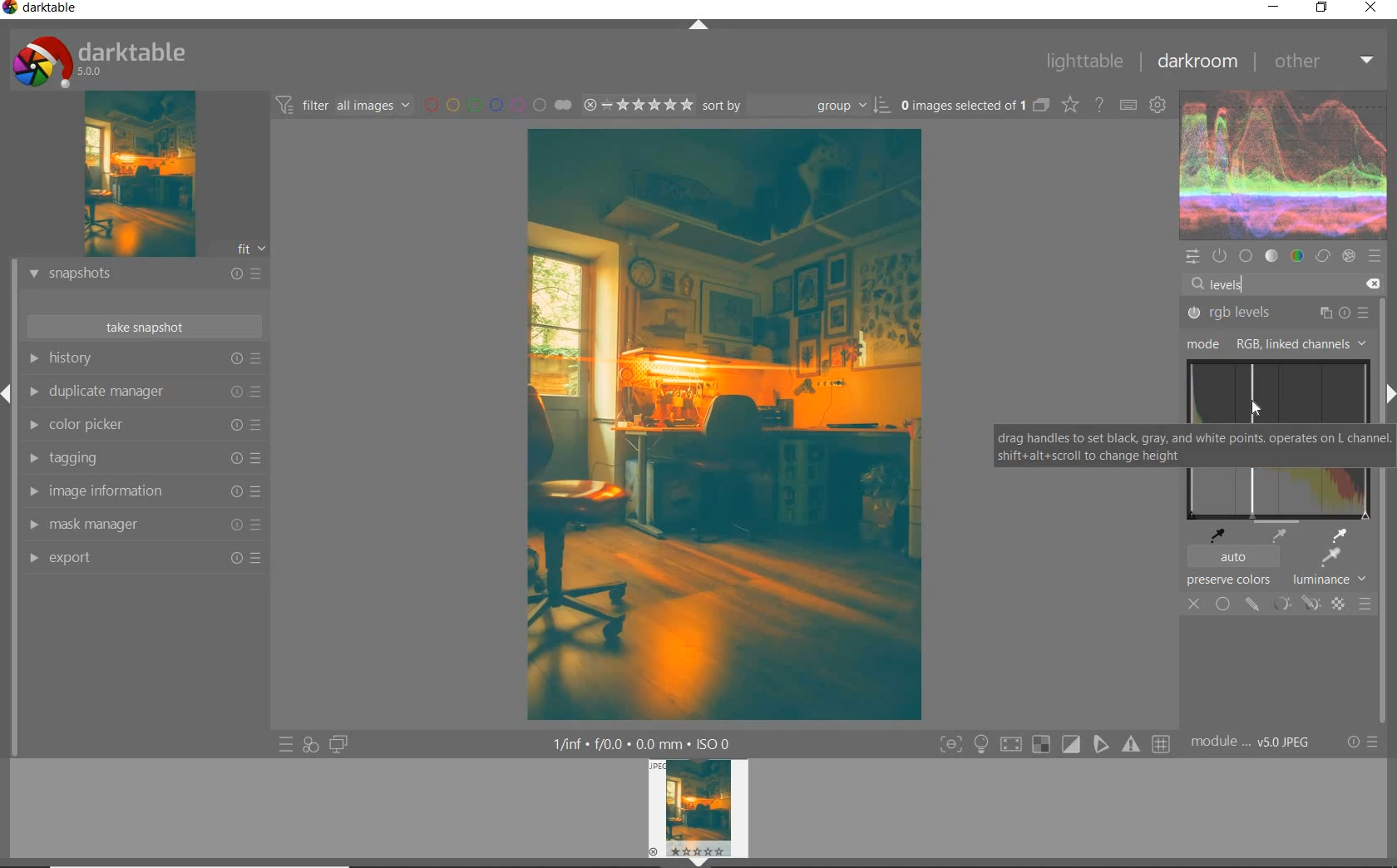 Image resolution: width=1397 pixels, height=868 pixels. Describe the element at coordinates (1276, 313) in the screenshot. I see `rgb levels` at that location.